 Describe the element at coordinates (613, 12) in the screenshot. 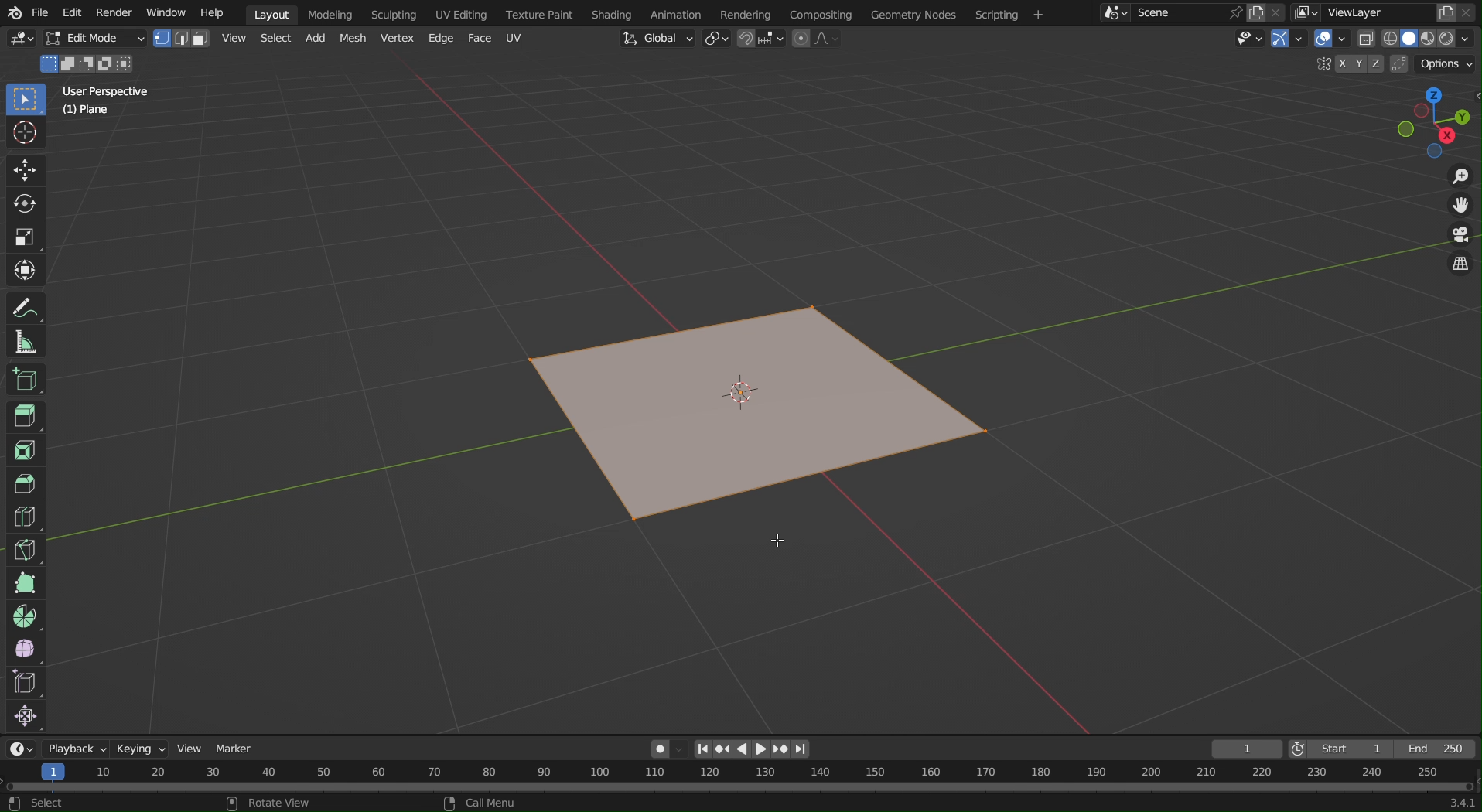

I see `Shading` at that location.